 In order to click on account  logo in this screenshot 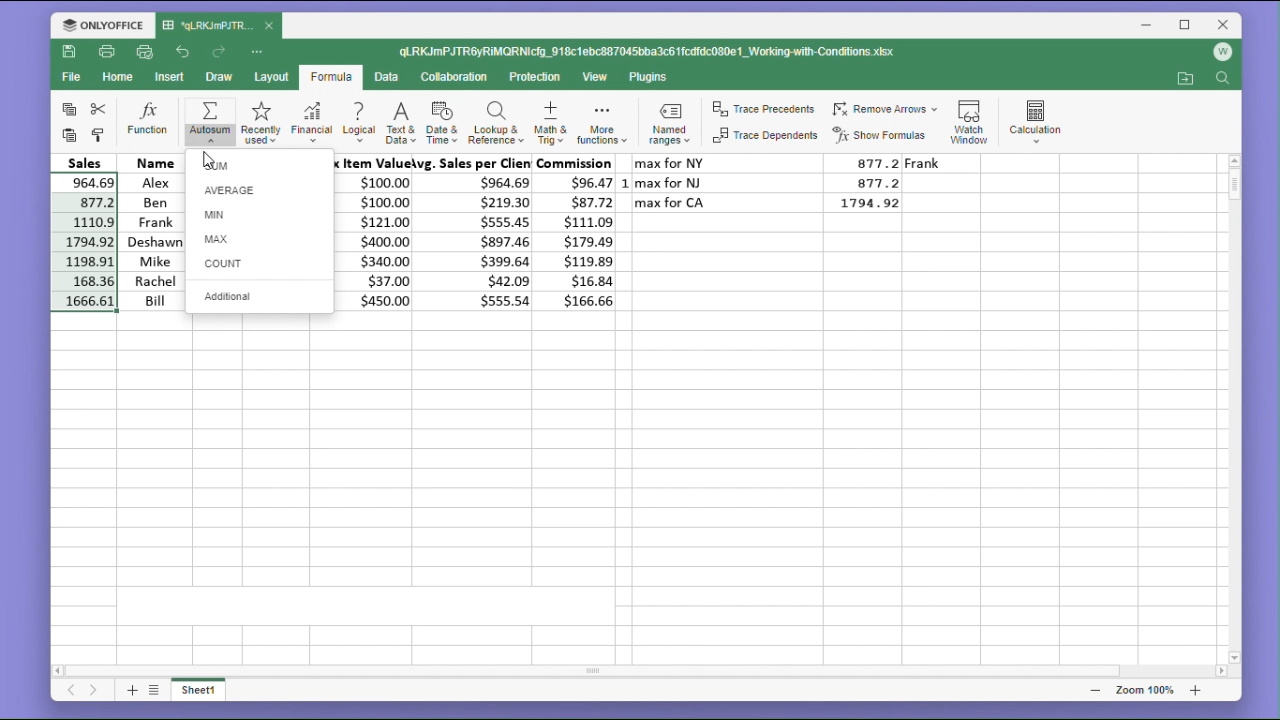, I will do `click(1226, 52)`.